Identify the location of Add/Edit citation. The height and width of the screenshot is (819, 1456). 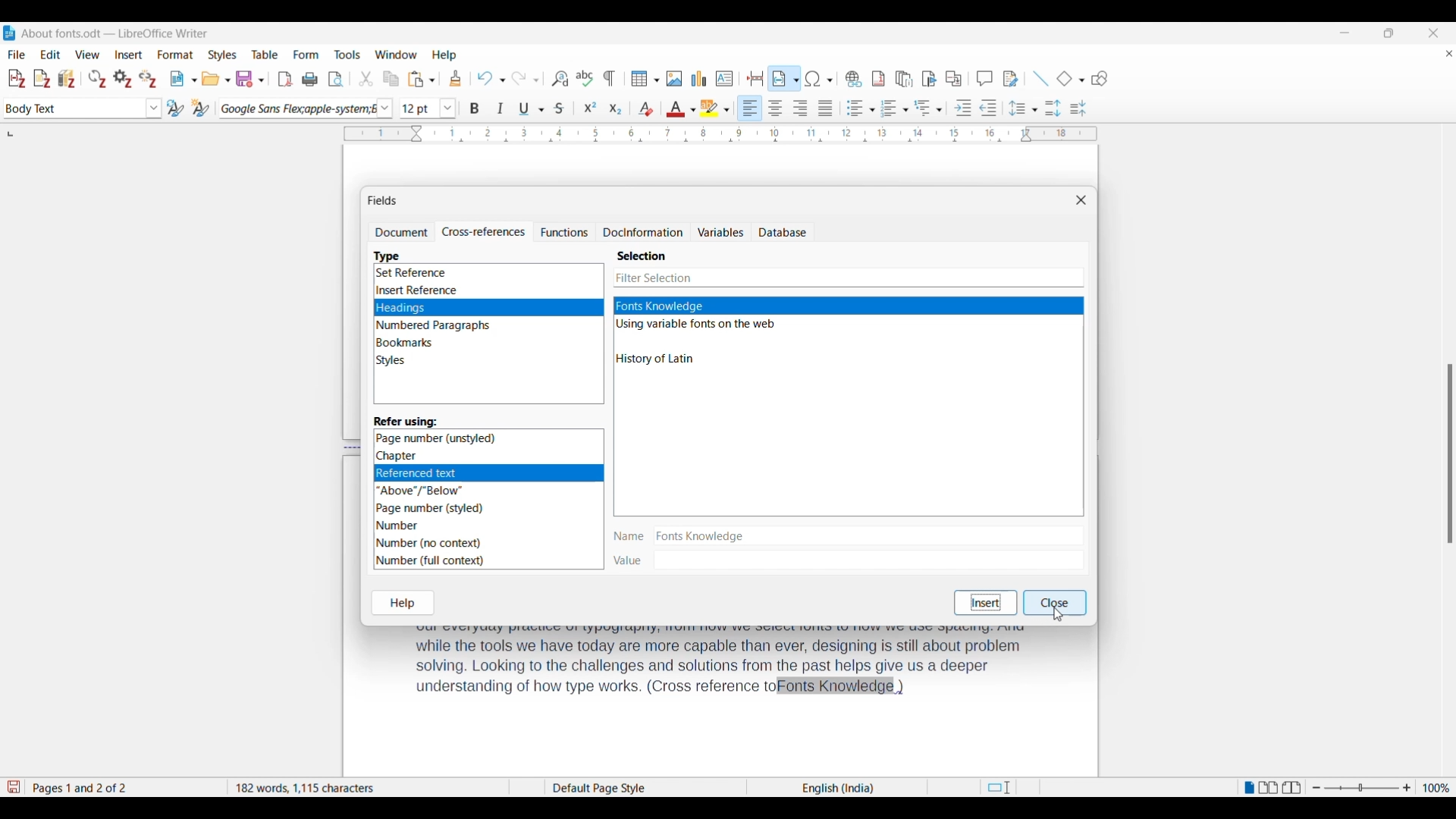
(16, 79).